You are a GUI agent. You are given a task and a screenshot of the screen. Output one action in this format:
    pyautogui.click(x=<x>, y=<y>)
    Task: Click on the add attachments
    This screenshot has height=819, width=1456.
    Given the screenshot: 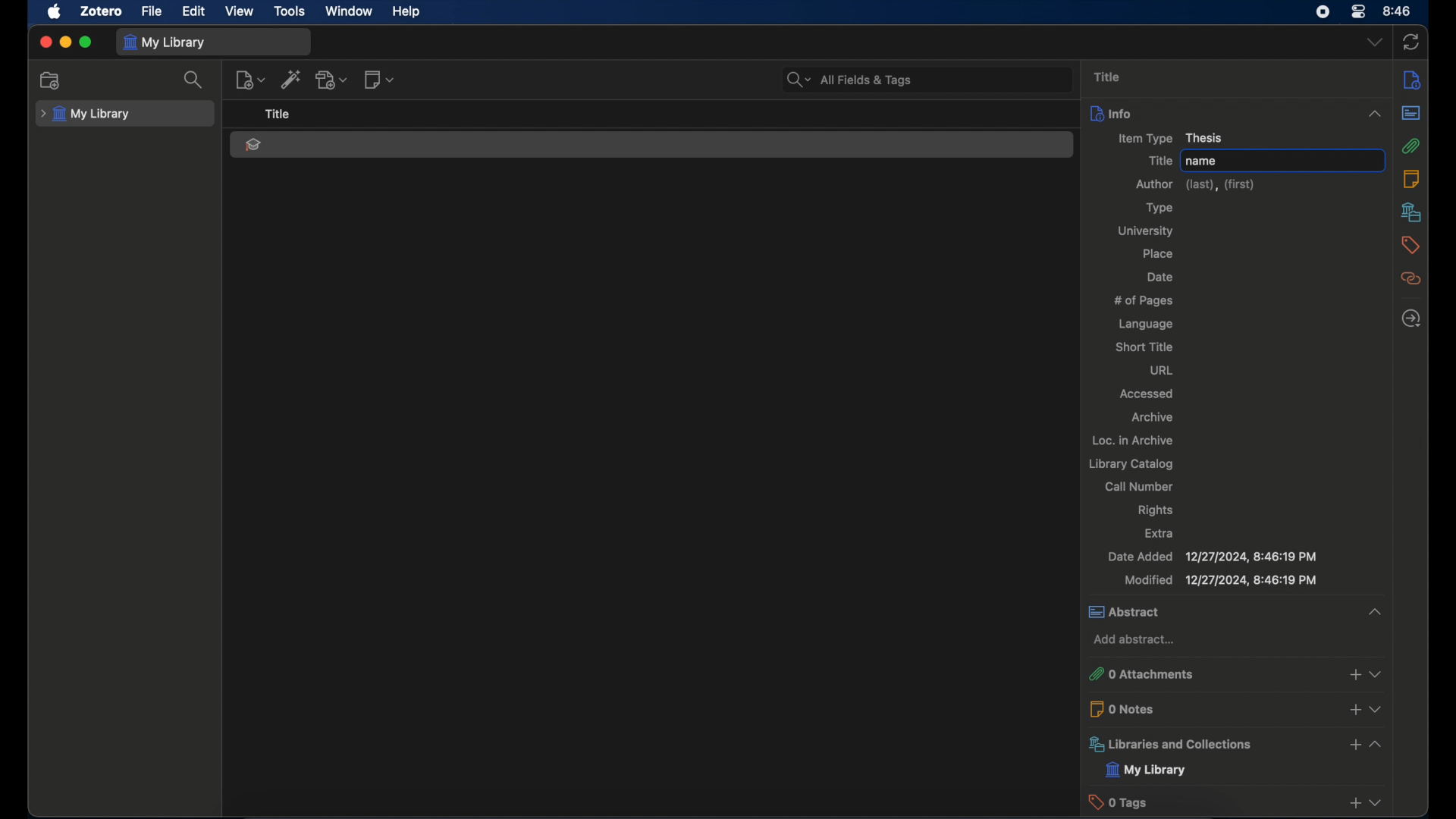 What is the action you would take?
    pyautogui.click(x=1354, y=673)
    